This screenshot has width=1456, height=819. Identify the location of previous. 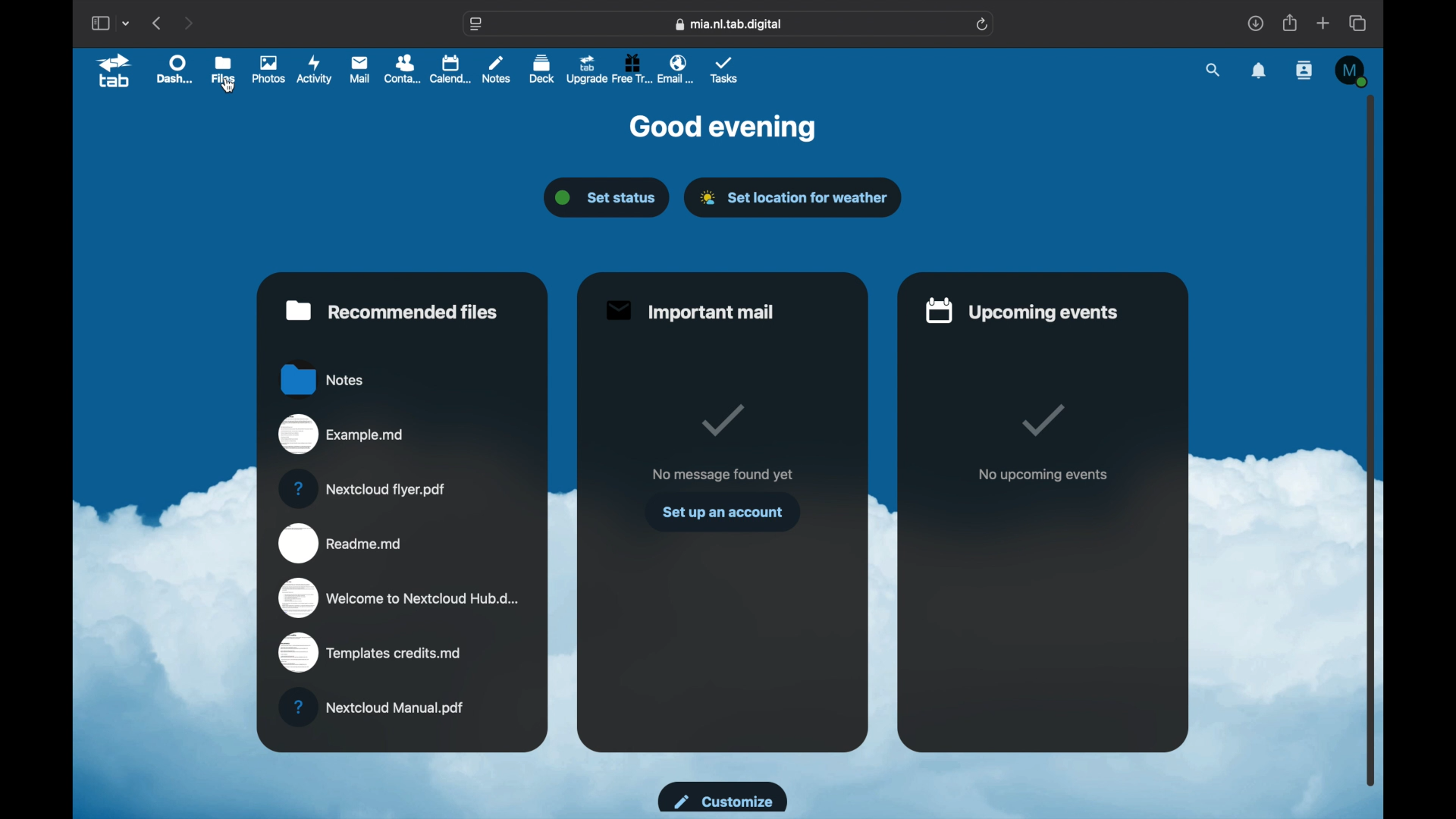
(158, 23).